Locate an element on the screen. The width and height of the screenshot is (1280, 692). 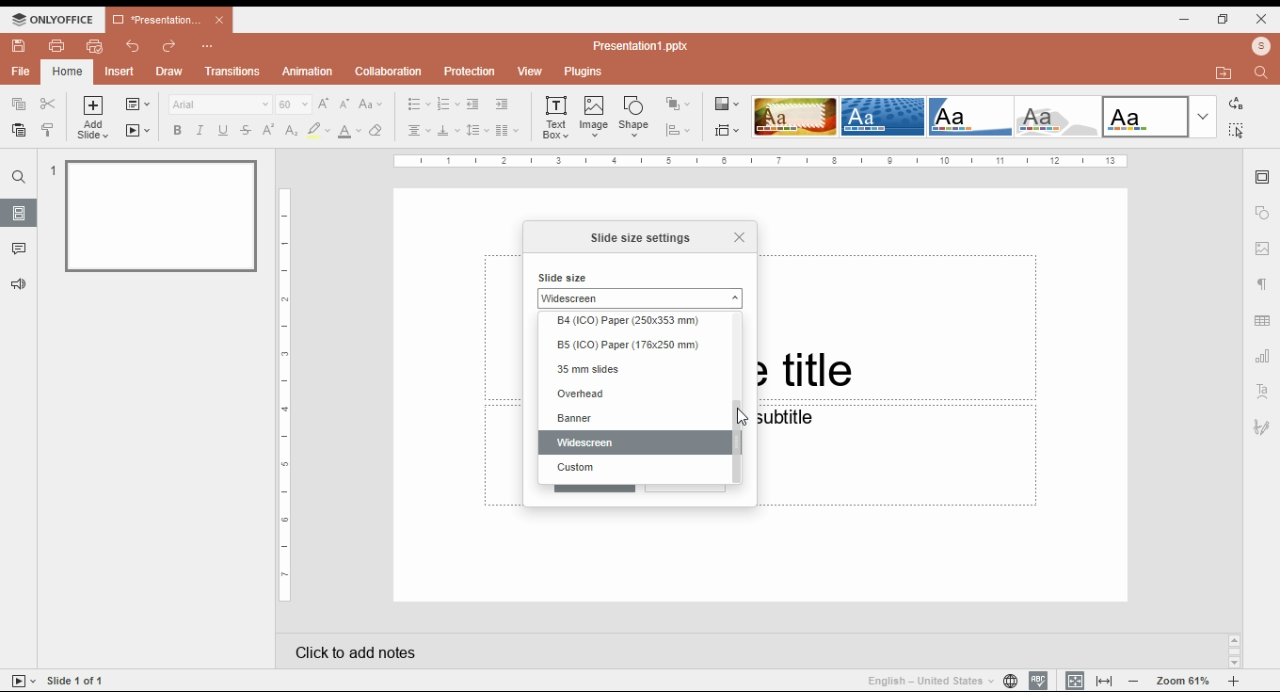
slide them option is located at coordinates (972, 116).